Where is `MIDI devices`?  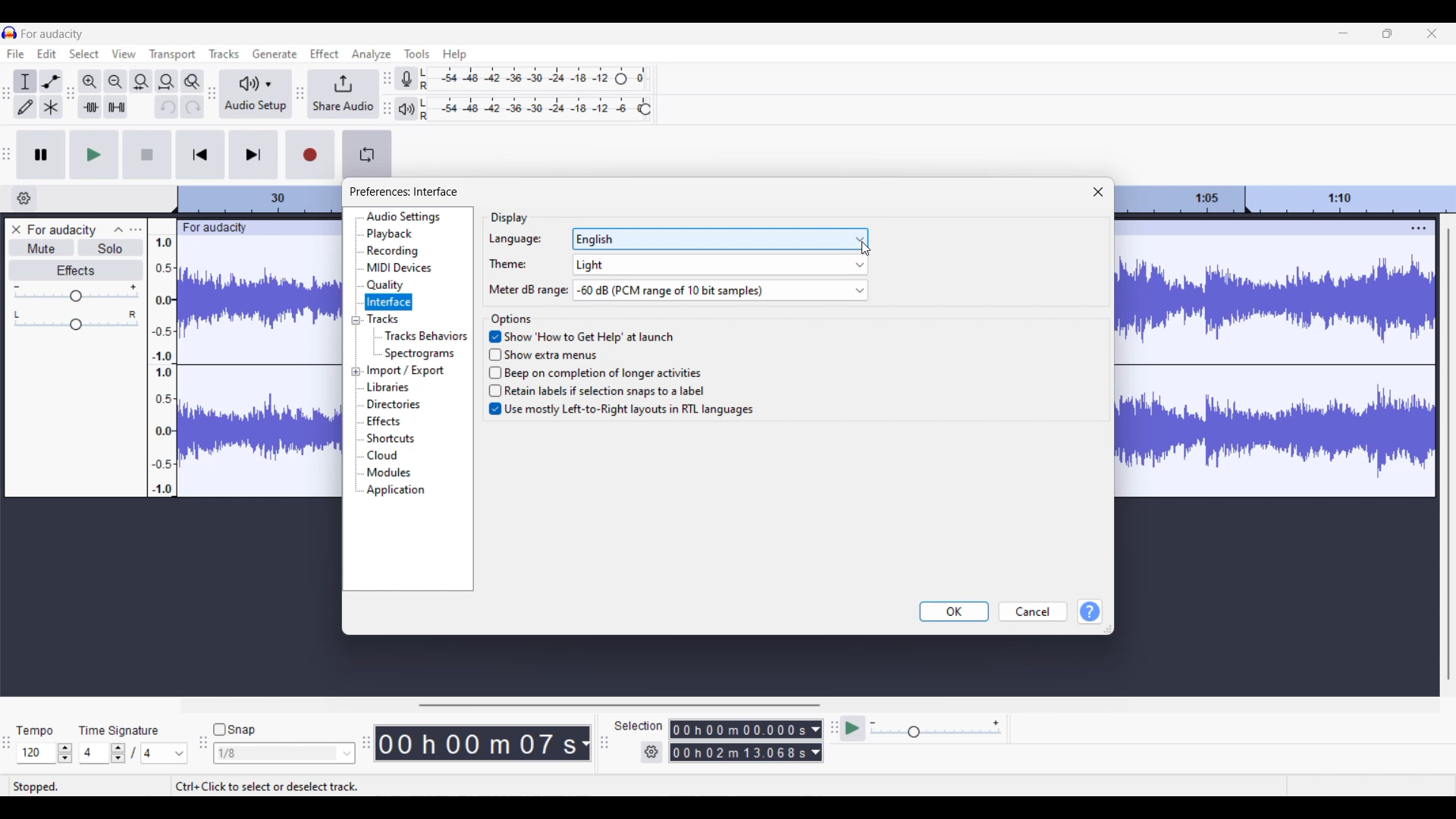
MIDI devices is located at coordinates (400, 268).